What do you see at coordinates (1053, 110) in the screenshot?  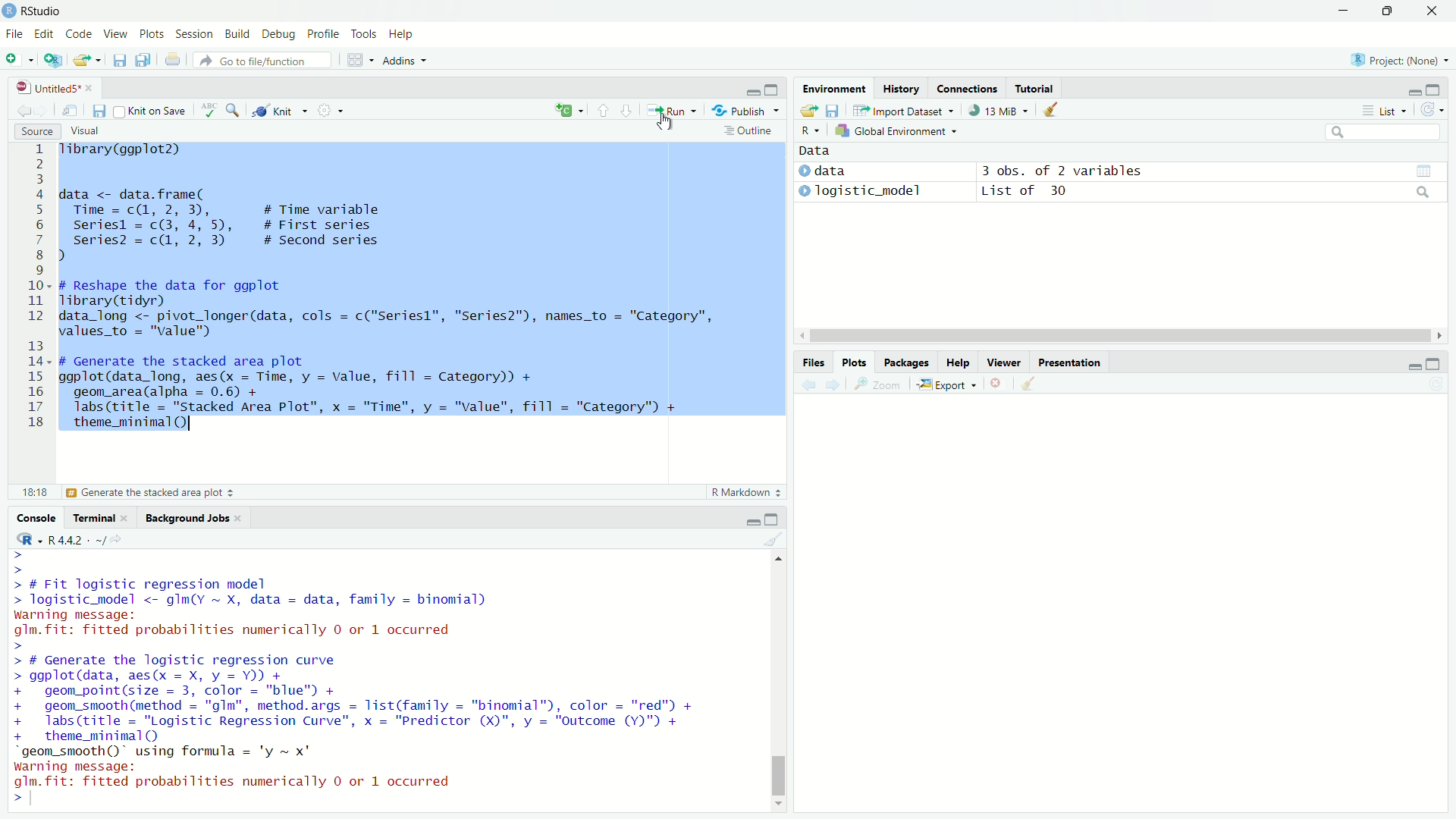 I see `clear` at bounding box center [1053, 110].